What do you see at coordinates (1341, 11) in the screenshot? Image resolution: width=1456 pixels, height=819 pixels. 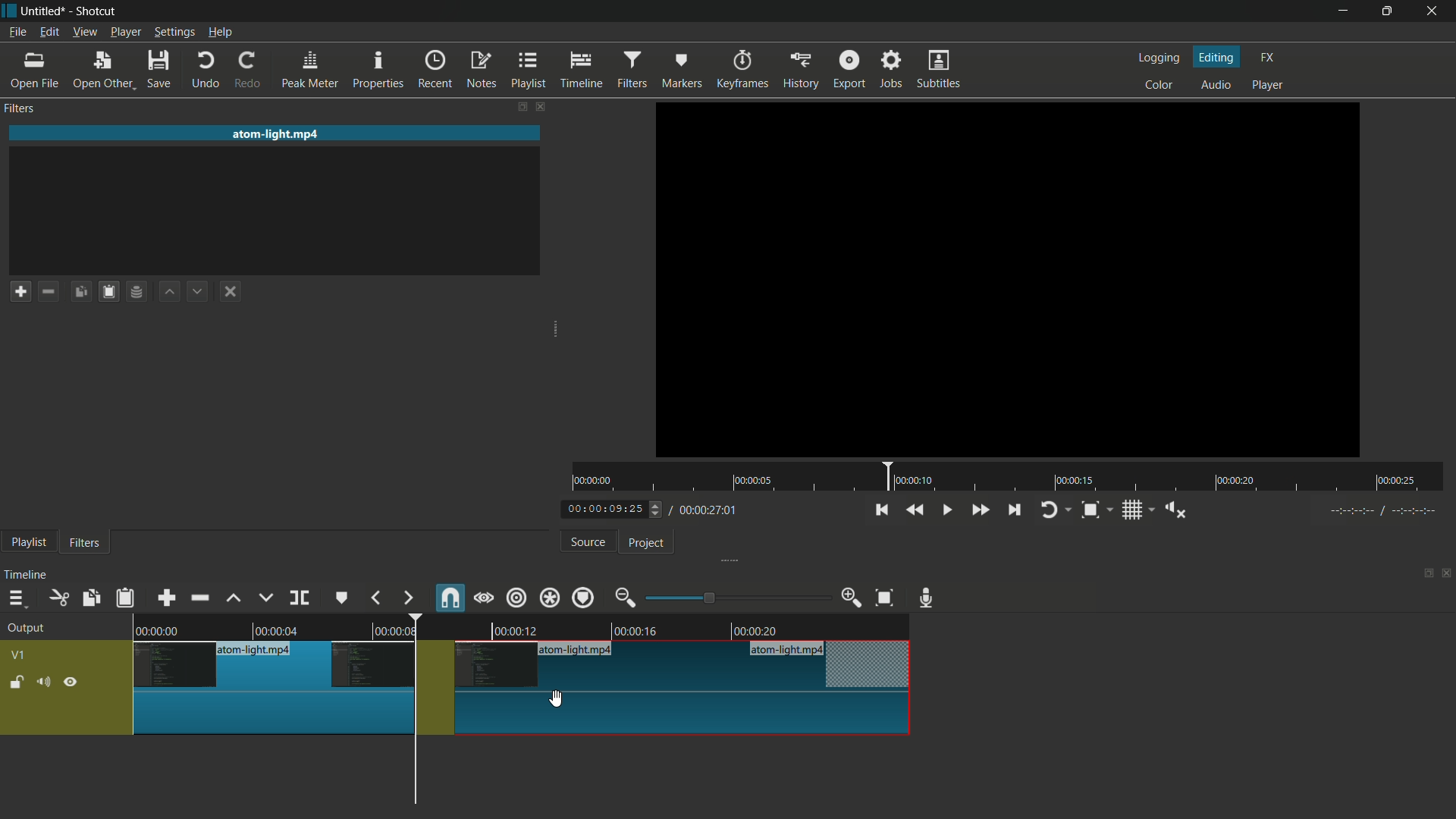 I see `minimize` at bounding box center [1341, 11].